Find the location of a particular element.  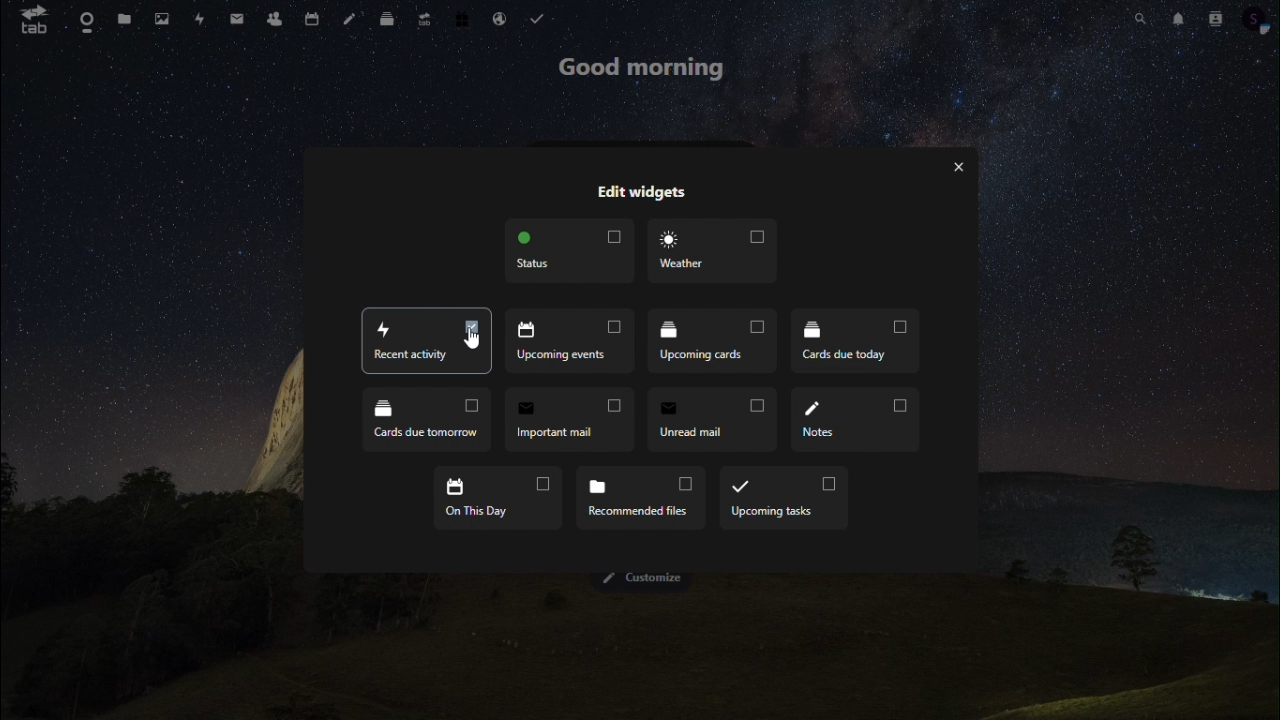

contacts is located at coordinates (276, 19).